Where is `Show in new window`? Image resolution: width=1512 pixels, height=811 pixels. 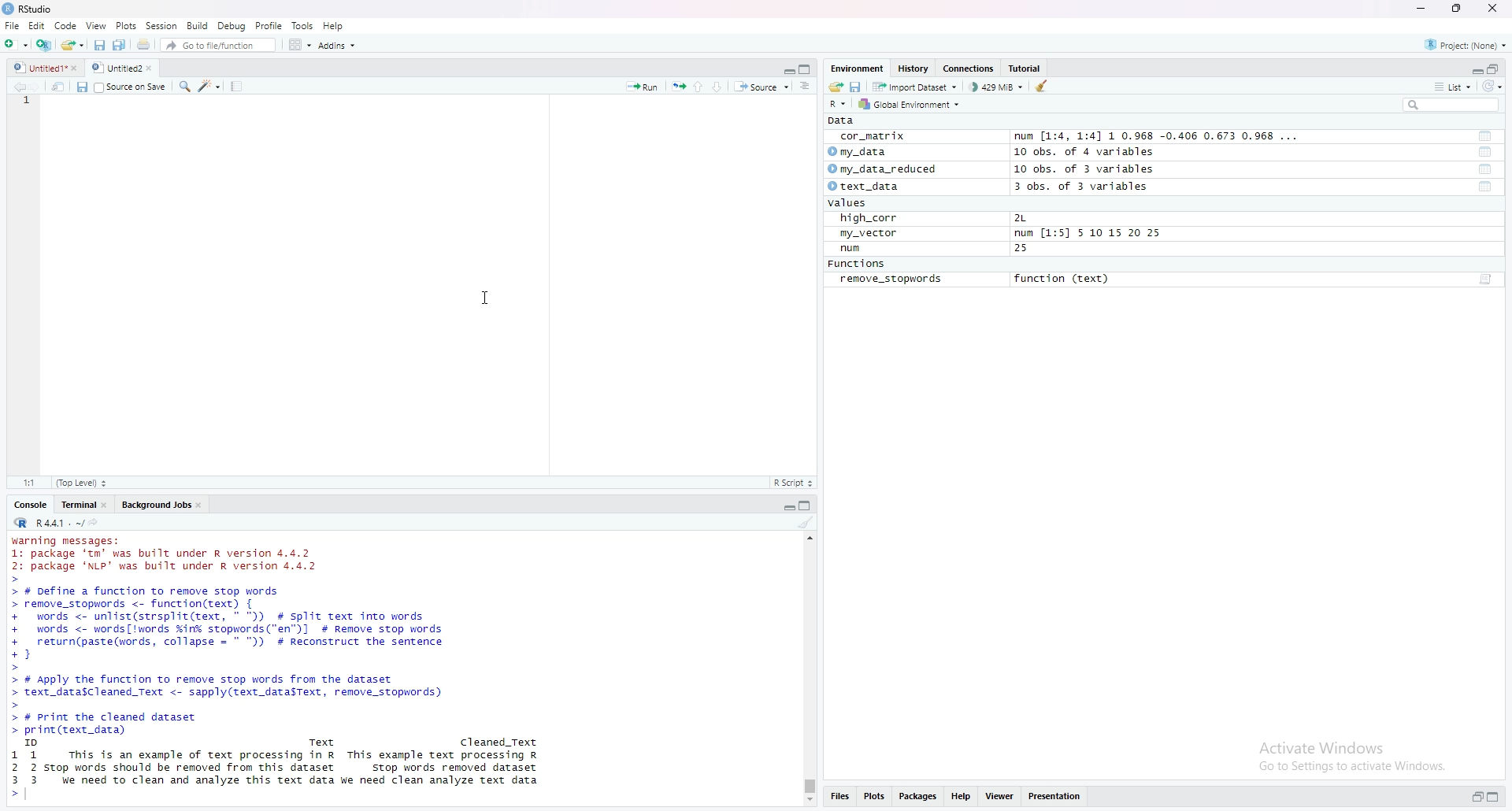 Show in new window is located at coordinates (58, 87).